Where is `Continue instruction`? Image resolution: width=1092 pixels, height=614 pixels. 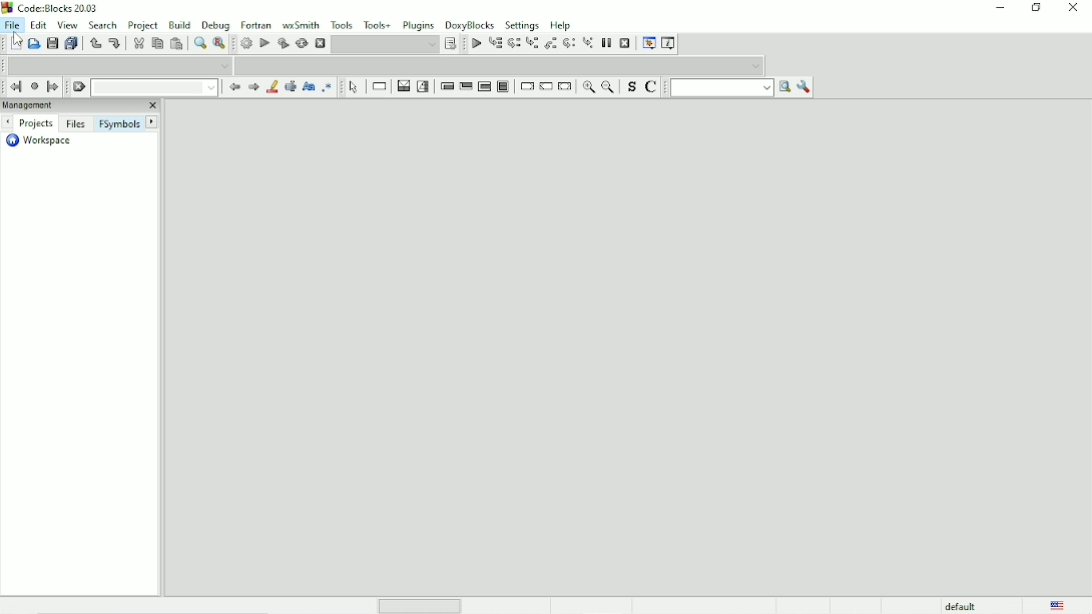
Continue instruction is located at coordinates (545, 87).